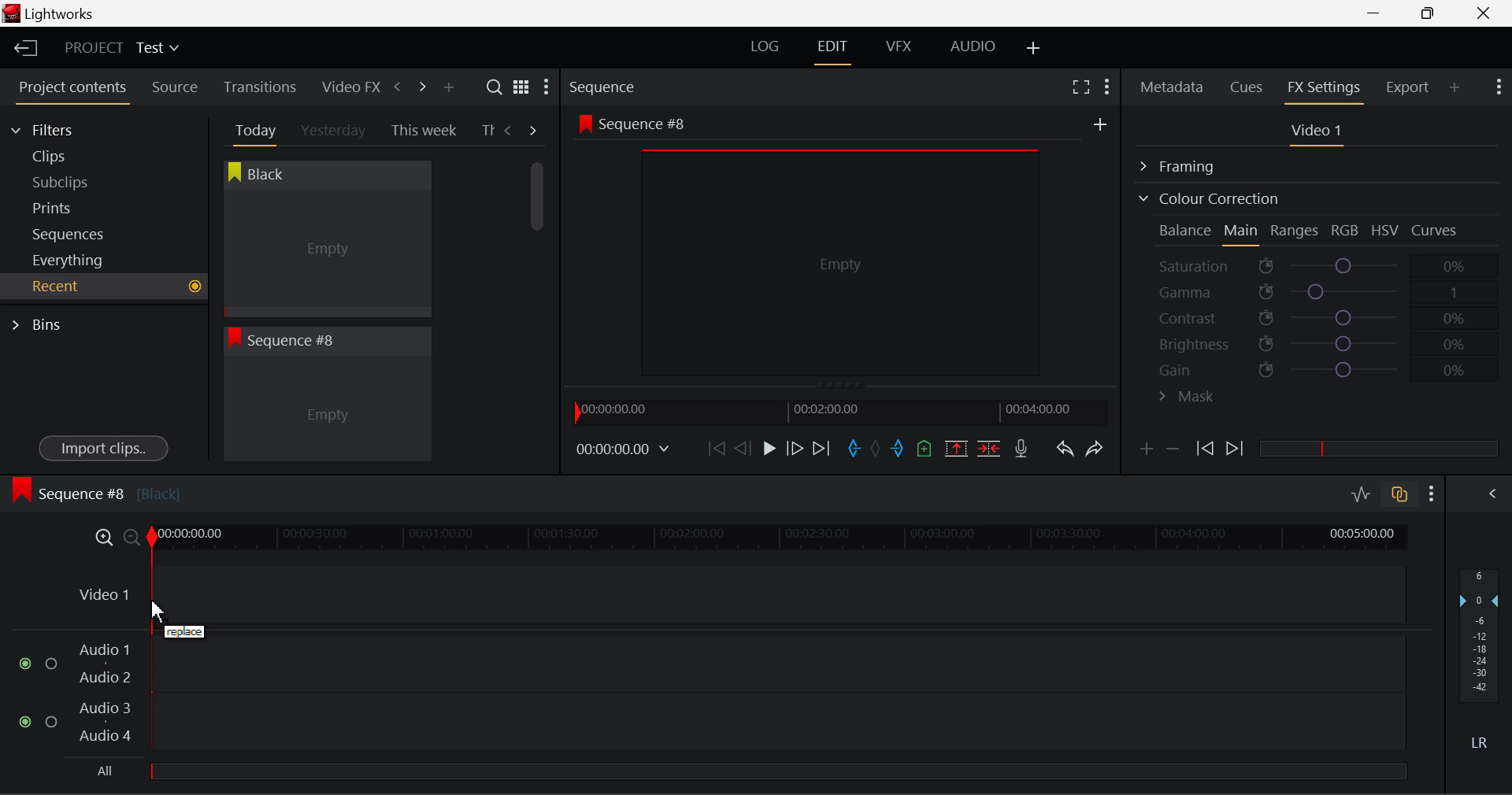  Describe the element at coordinates (72, 232) in the screenshot. I see `Sequences` at that location.